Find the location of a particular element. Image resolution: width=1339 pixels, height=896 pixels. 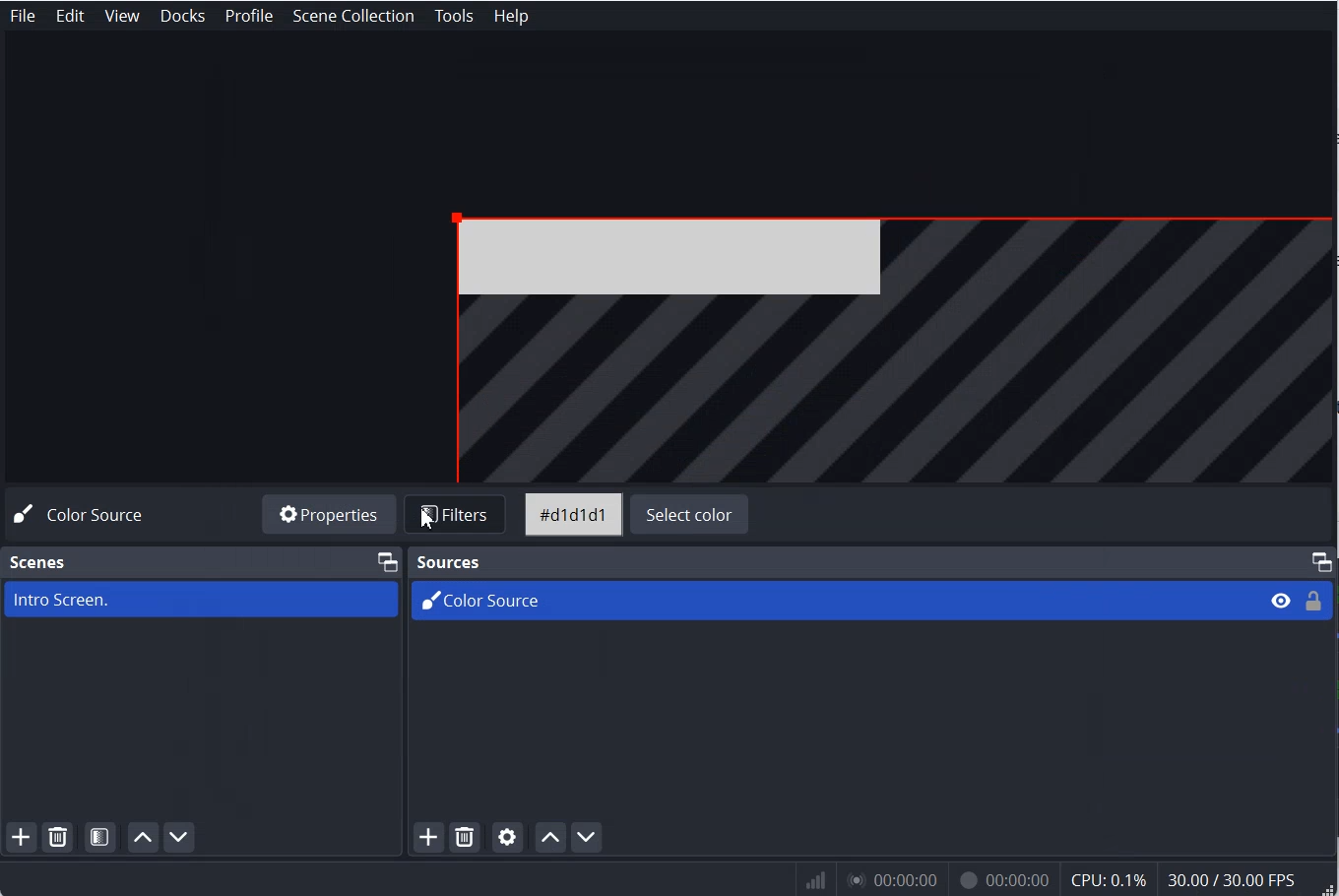

View is located at coordinates (123, 16).